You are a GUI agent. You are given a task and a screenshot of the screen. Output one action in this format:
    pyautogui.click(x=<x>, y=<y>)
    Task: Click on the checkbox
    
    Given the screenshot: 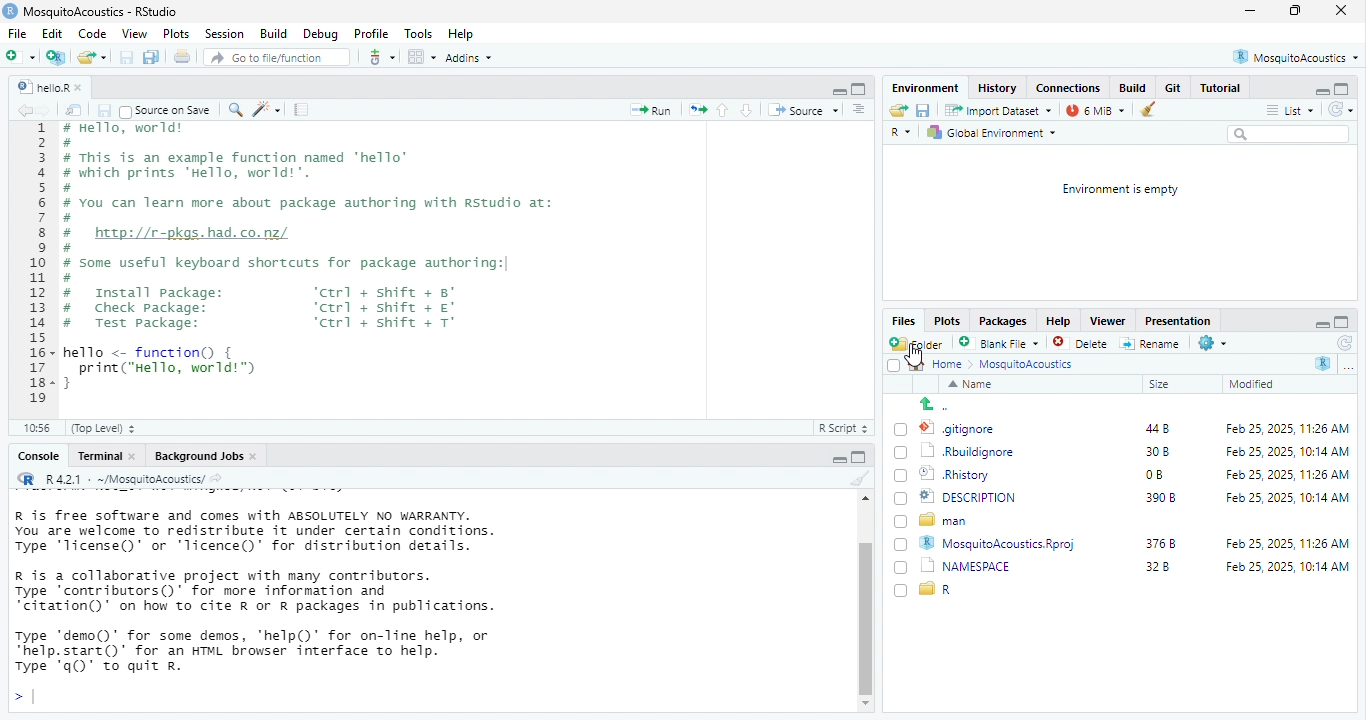 What is the action you would take?
    pyautogui.click(x=900, y=523)
    